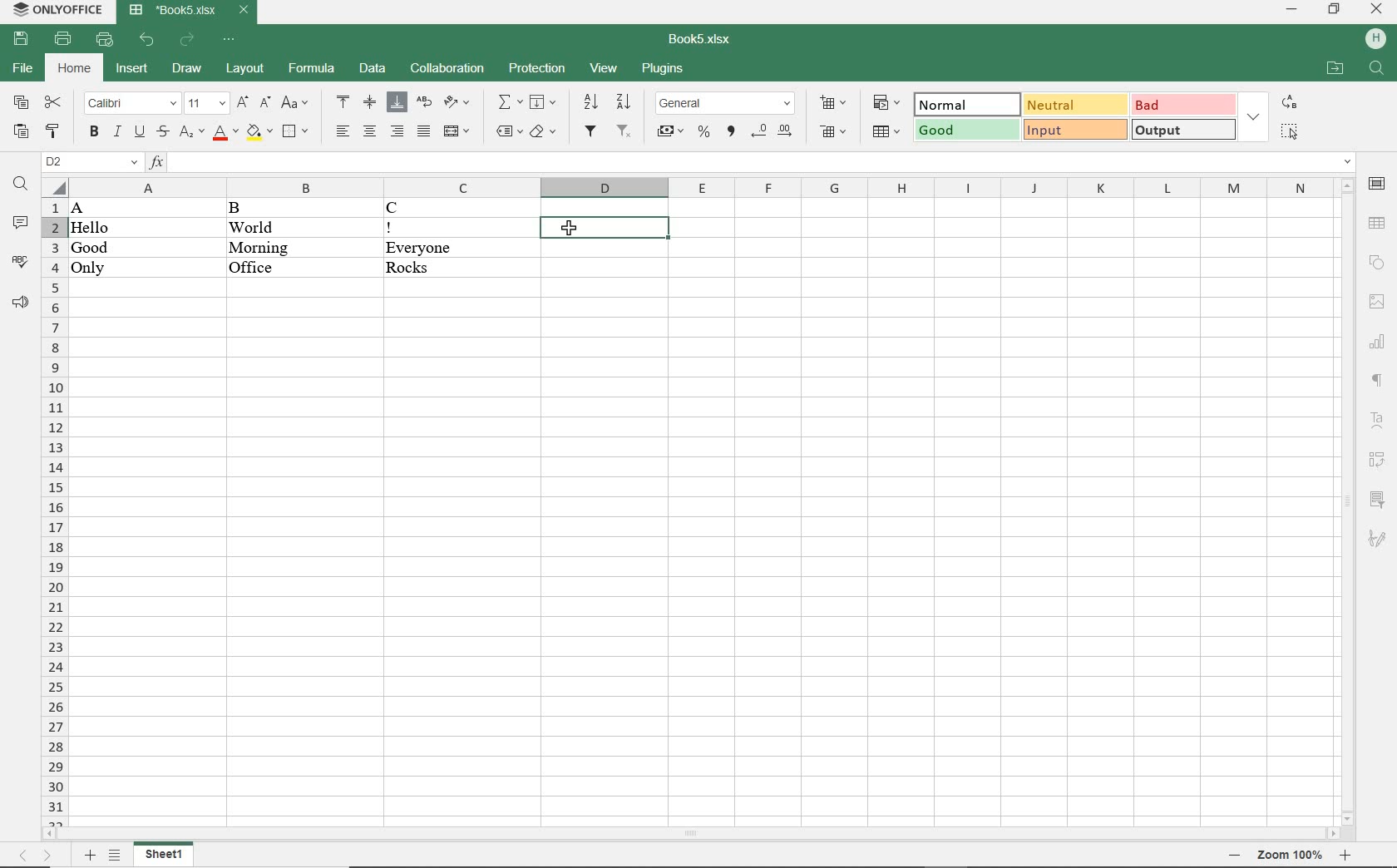  What do you see at coordinates (1256, 117) in the screenshot?
I see `EXPAND` at bounding box center [1256, 117].